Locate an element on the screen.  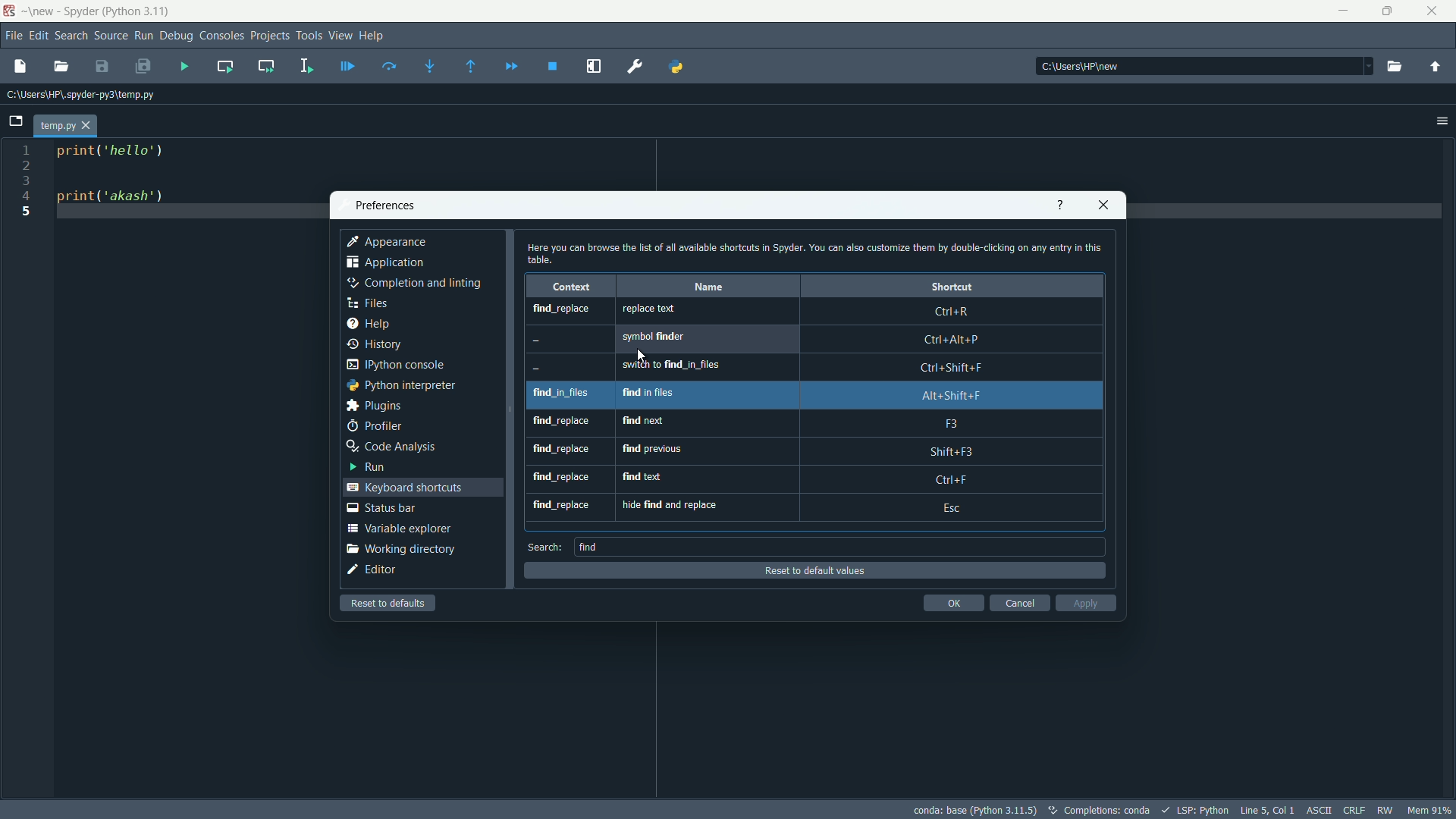
run current cell and go to next one is located at coordinates (265, 68).